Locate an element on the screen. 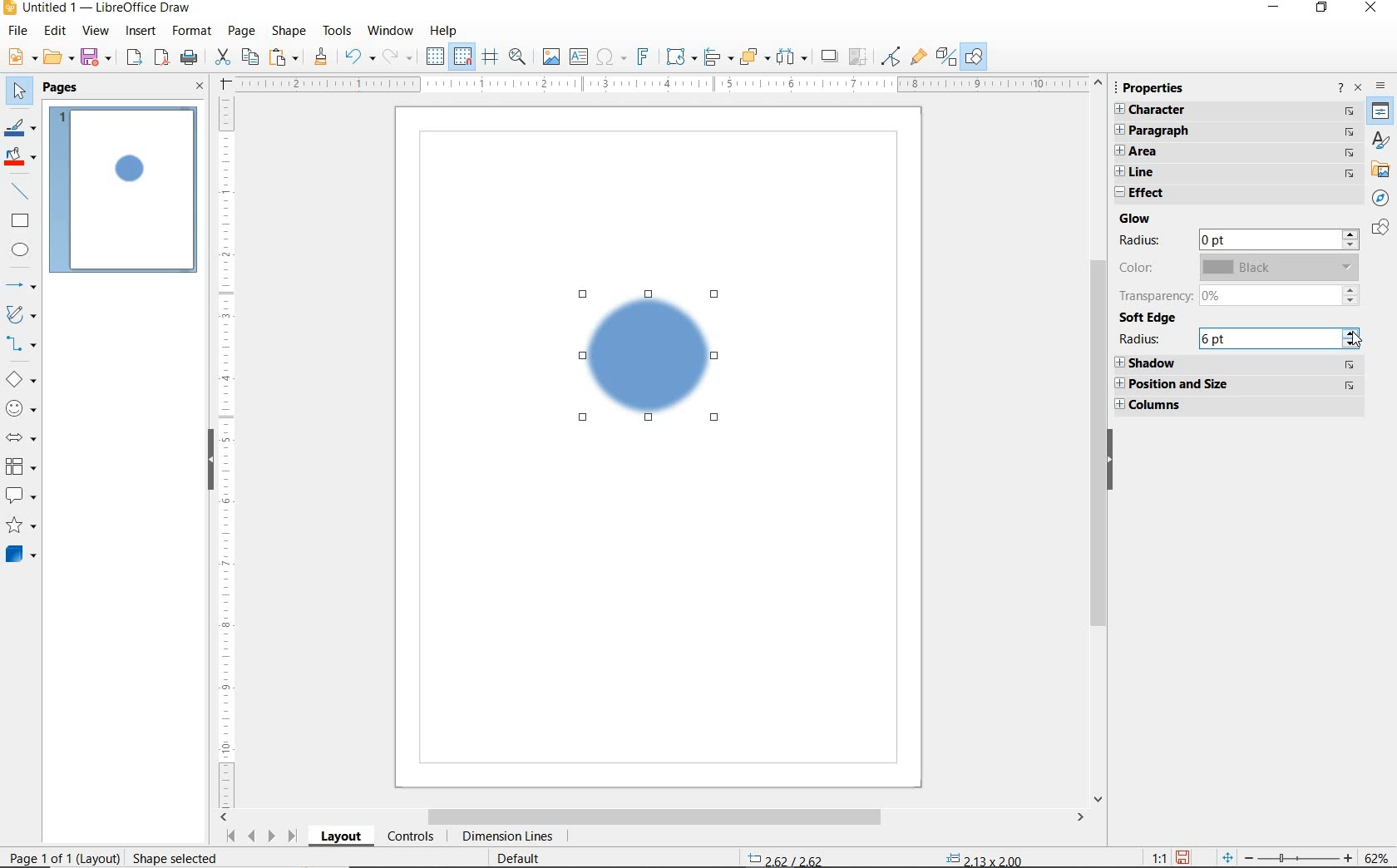 The image size is (1397, 868). navigate is located at coordinates (1350, 132).